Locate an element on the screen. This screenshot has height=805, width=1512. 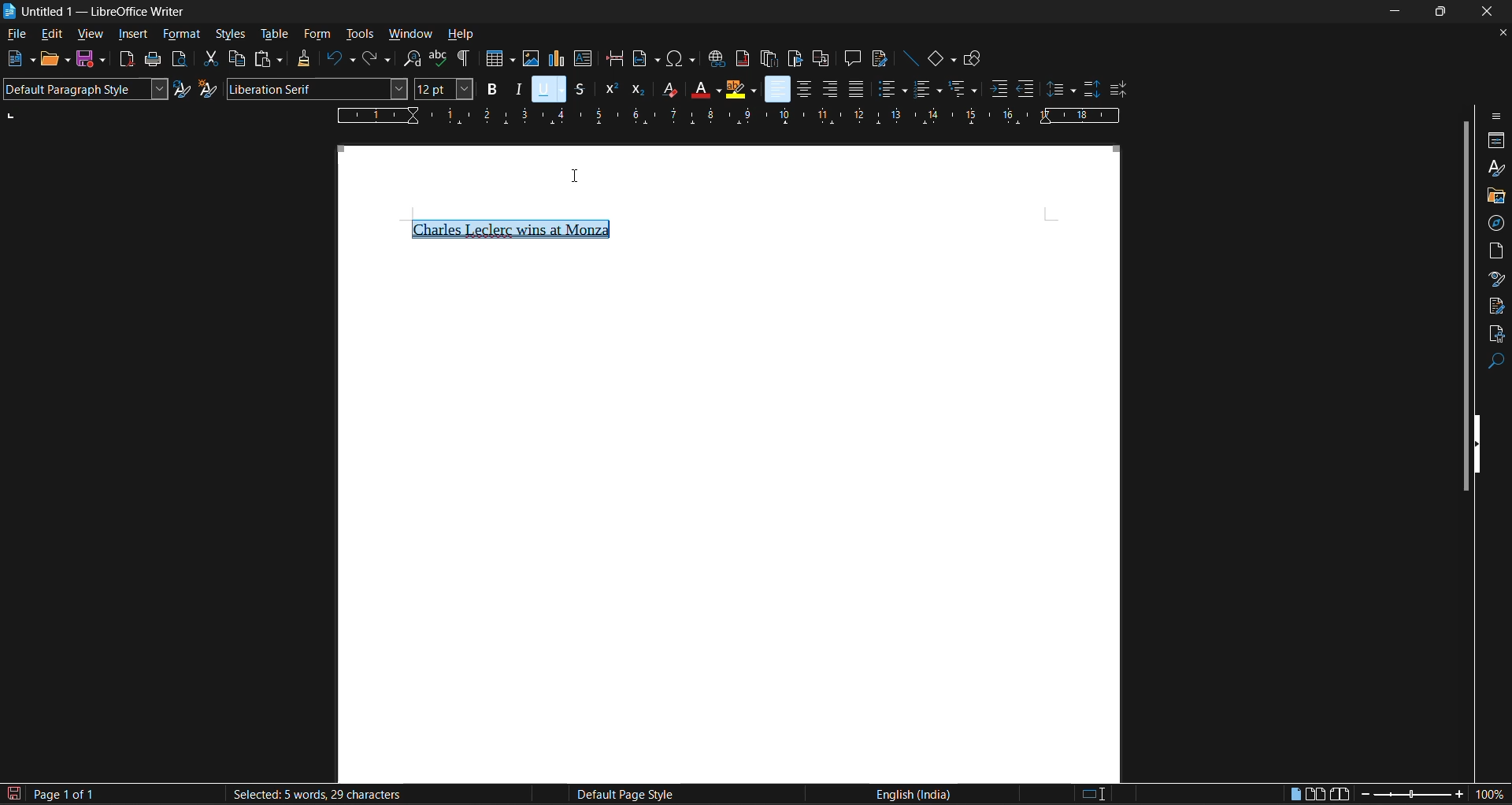
insert image is located at coordinates (529, 59).